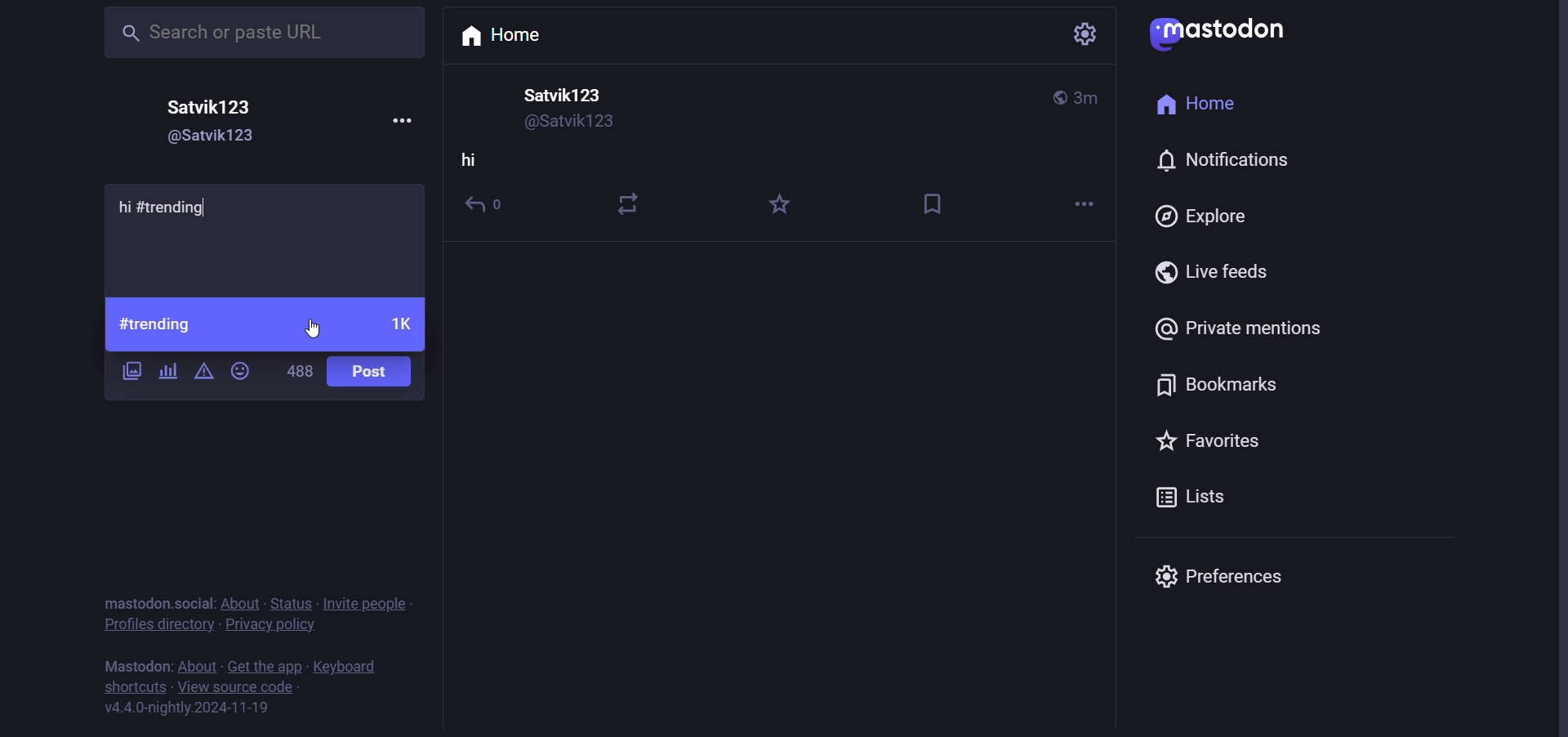 Image resolution: width=1568 pixels, height=737 pixels. What do you see at coordinates (312, 324) in the screenshot?
I see `cursor` at bounding box center [312, 324].